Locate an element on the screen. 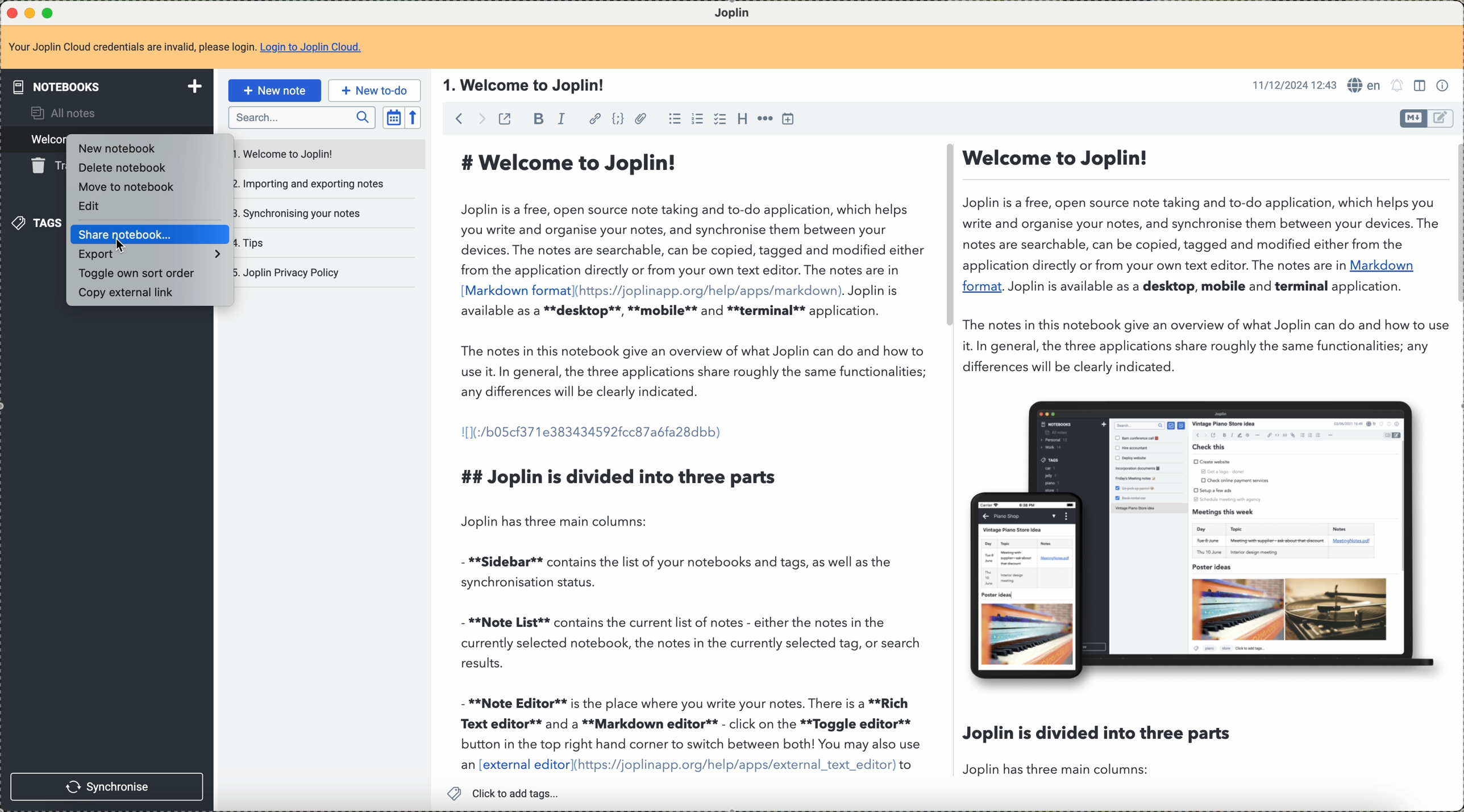  .
Welcome to Joplin!
Joplin is a free, open source note taking and to-do application, which helps you
write and organise your notes, and synchronise them between your devices. The
notes are searchable, can be copied, tagged and modified either from the
application directly or from your own text editor. The notes are in Markdown
format. Joplin is available as a desktop, mobile and terminal application.
The notes in this notebook give an overview of what Joplin can do and how to us
it. In general, the three applications share roughly the same functionalities; any
differences will be clearly indicated. is located at coordinates (1200, 258).